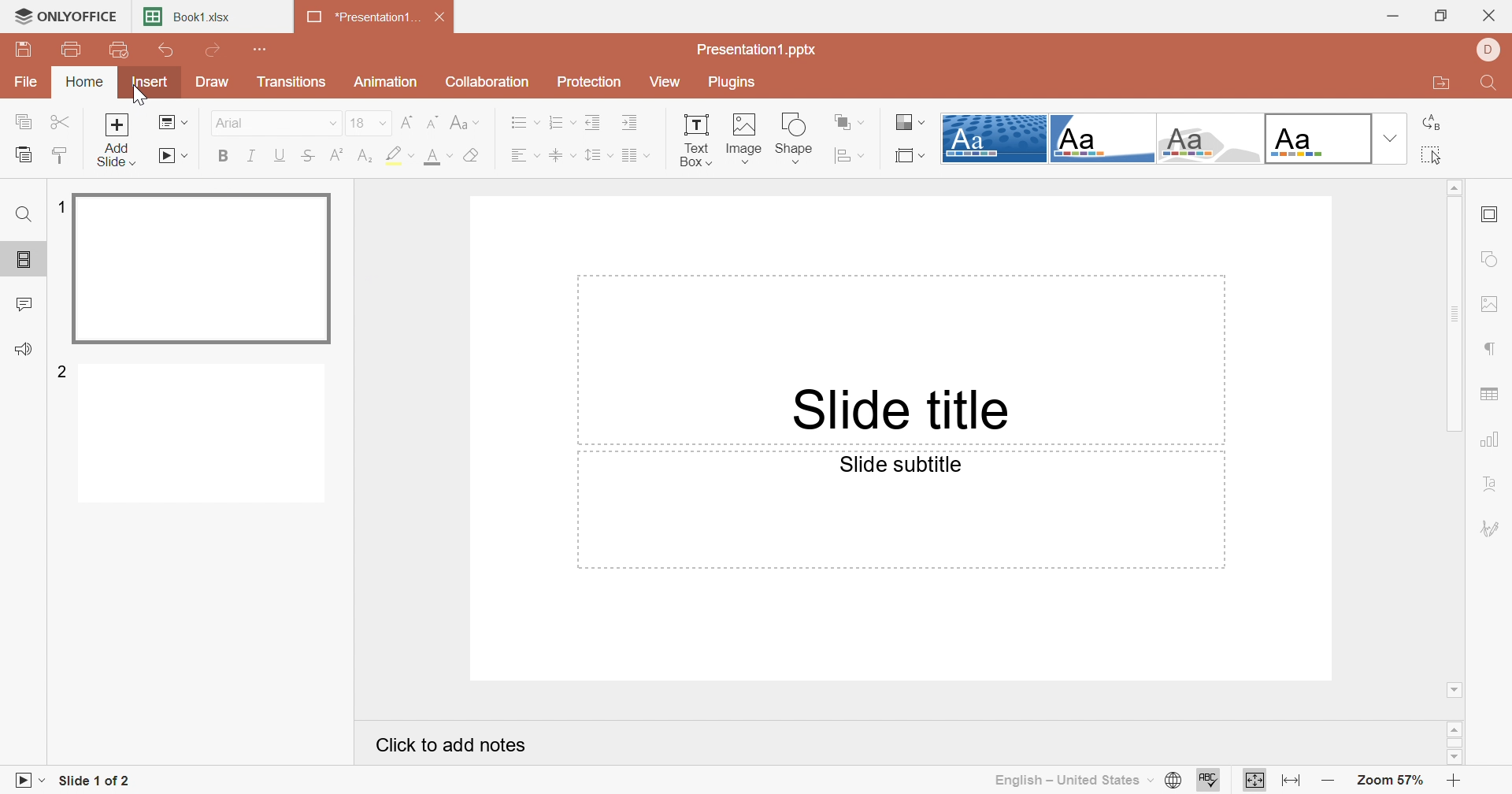 This screenshot has width=1512, height=794. Describe the element at coordinates (466, 124) in the screenshot. I see `Change case` at that location.